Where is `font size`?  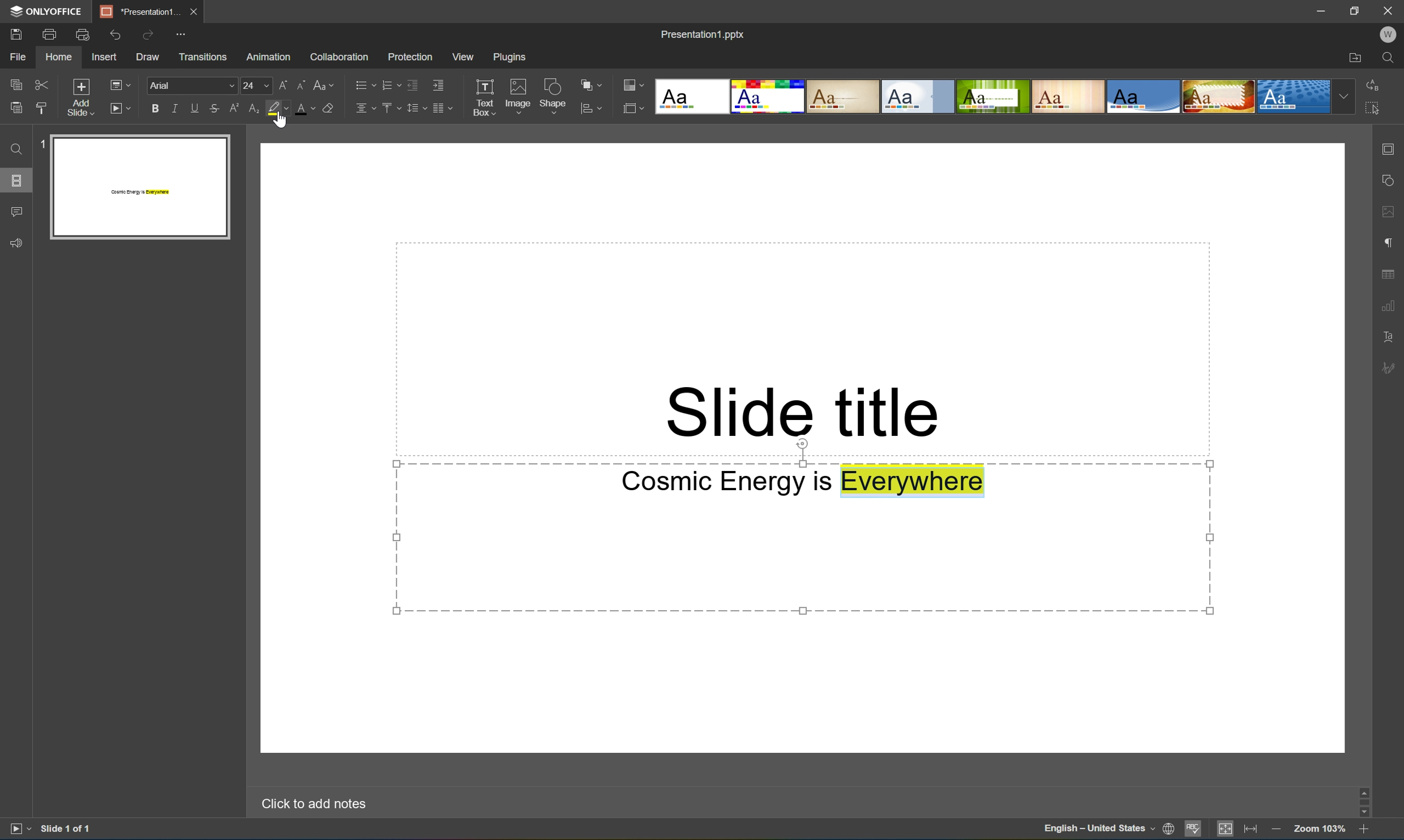
font size is located at coordinates (254, 83).